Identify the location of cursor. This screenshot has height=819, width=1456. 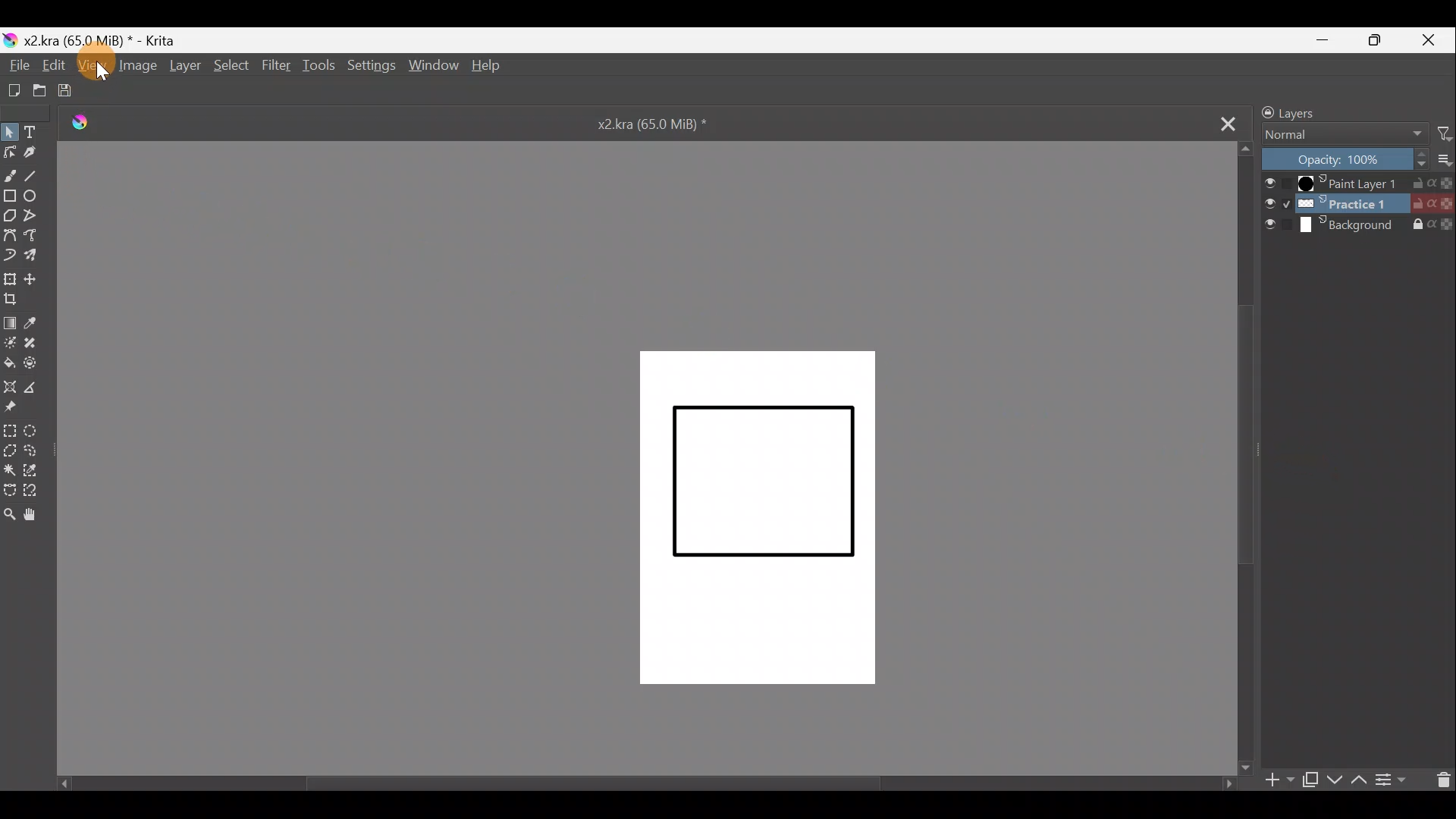
(106, 75).